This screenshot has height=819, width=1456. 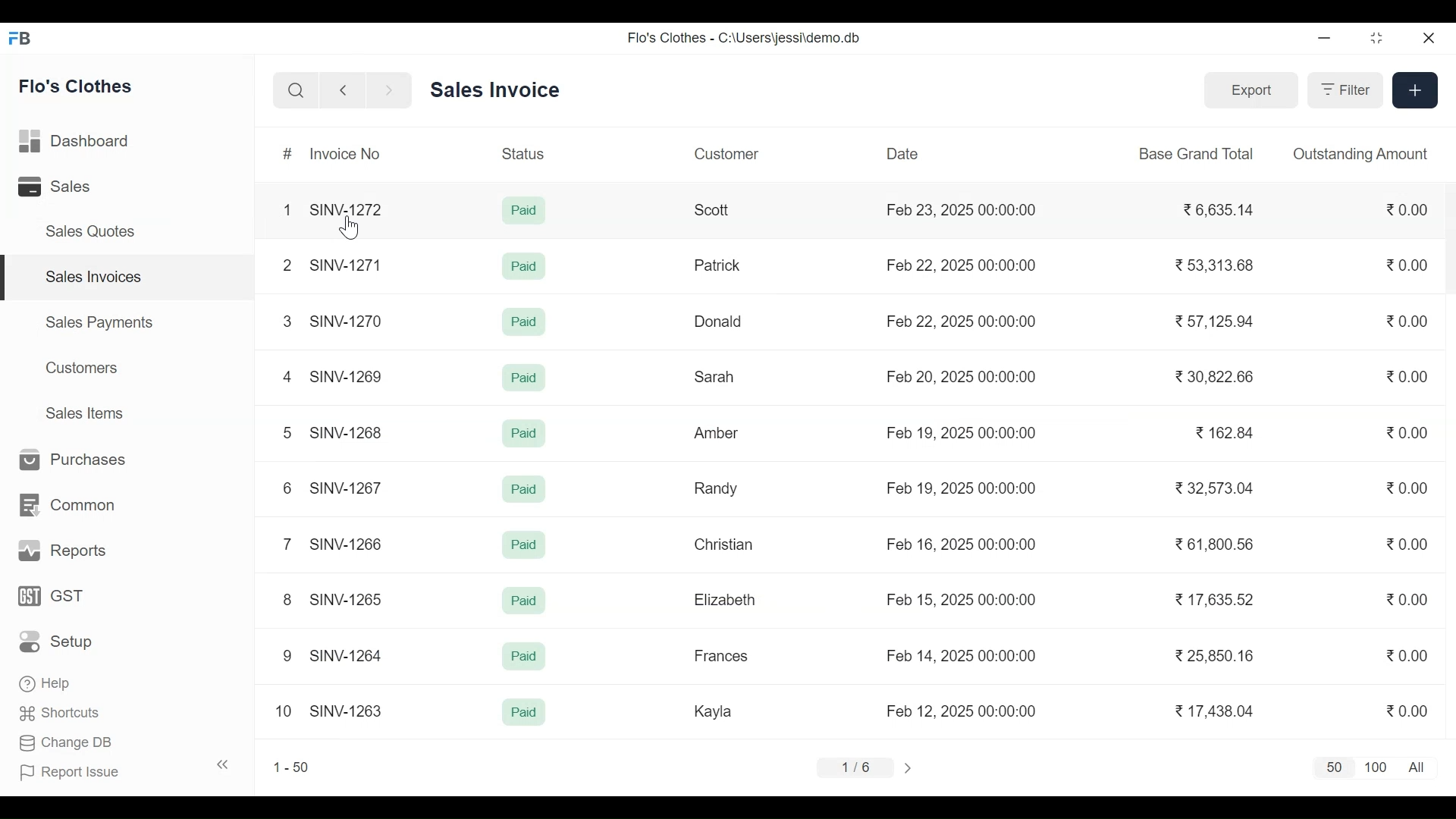 What do you see at coordinates (962, 265) in the screenshot?
I see `Feb 22, 2025 00:00:00` at bounding box center [962, 265].